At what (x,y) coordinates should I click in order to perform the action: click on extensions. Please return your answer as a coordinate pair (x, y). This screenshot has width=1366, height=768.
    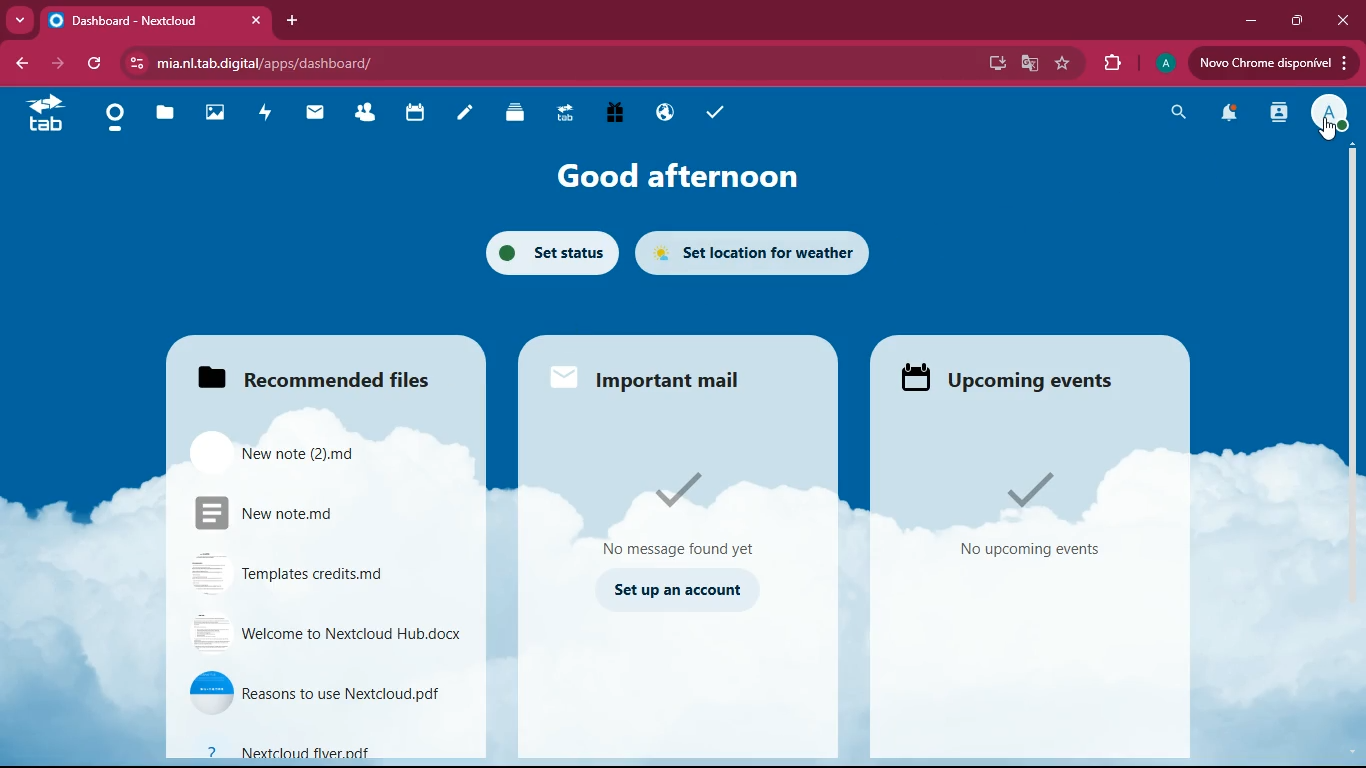
    Looking at the image, I should click on (1107, 61).